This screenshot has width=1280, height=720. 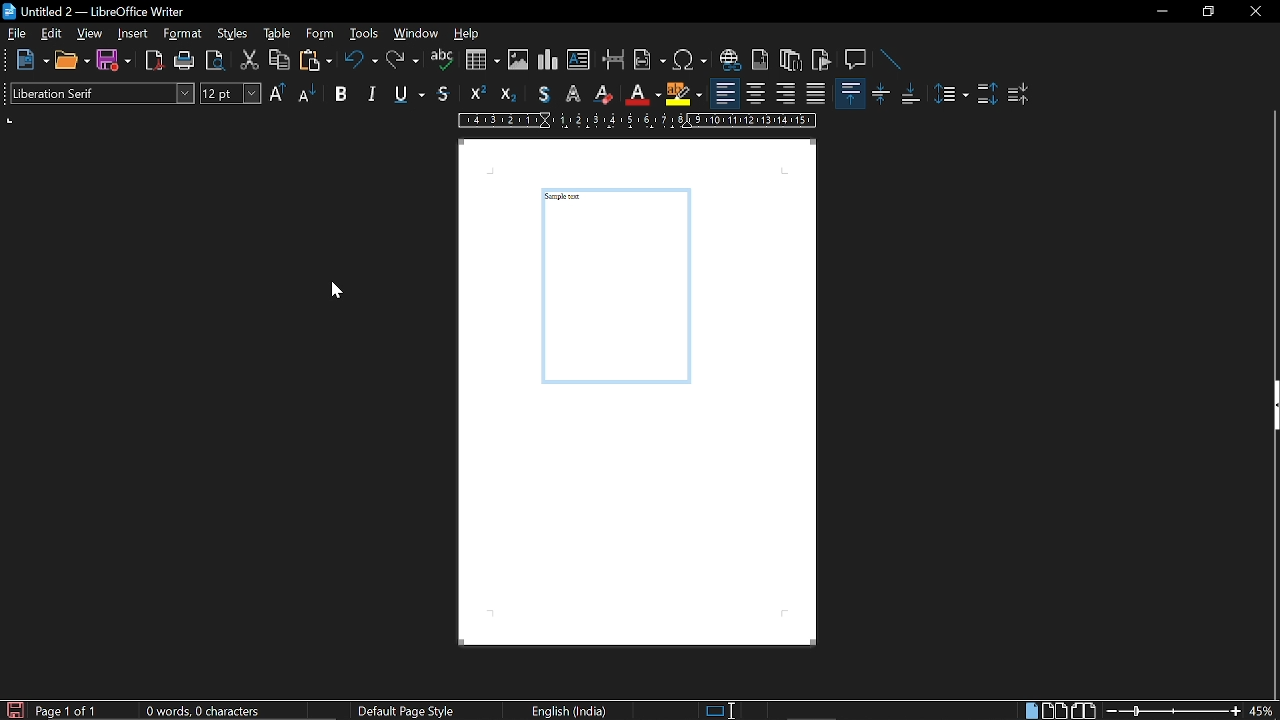 What do you see at coordinates (133, 34) in the screenshot?
I see `insert` at bounding box center [133, 34].